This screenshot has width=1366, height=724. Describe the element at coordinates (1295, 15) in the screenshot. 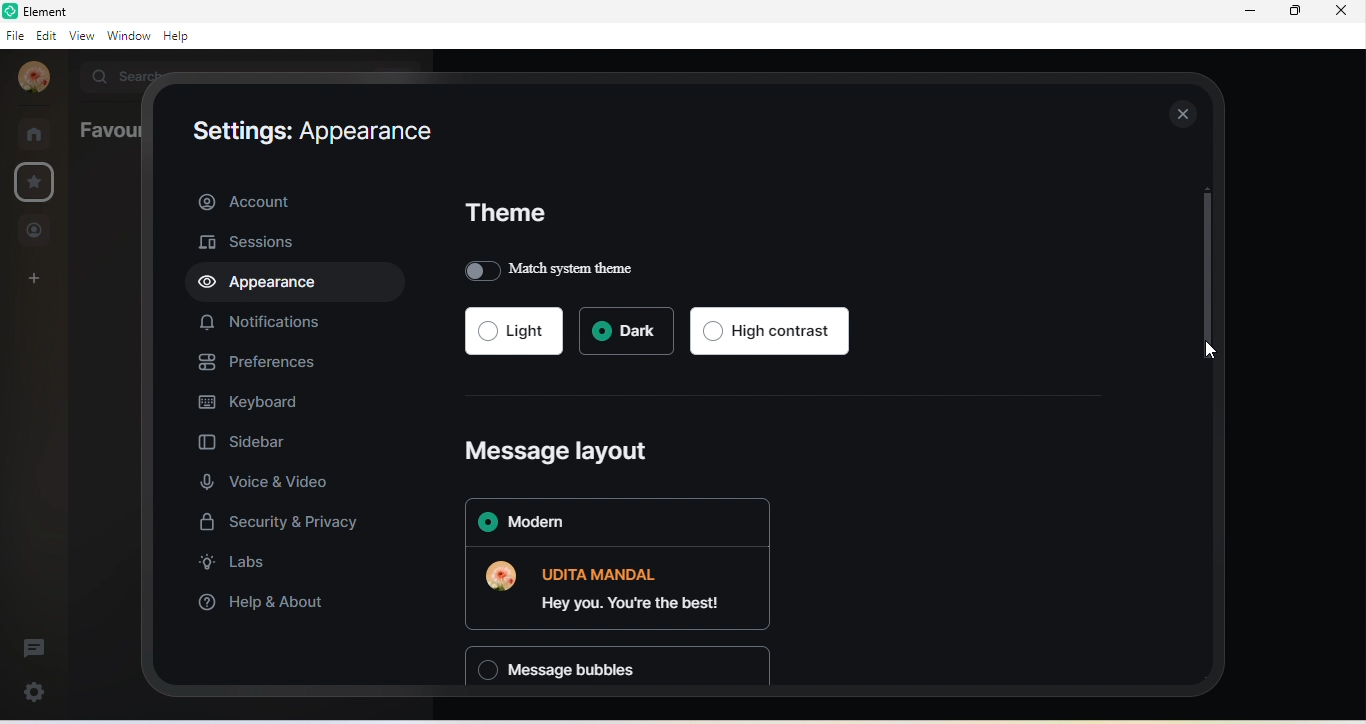

I see `maximize` at that location.